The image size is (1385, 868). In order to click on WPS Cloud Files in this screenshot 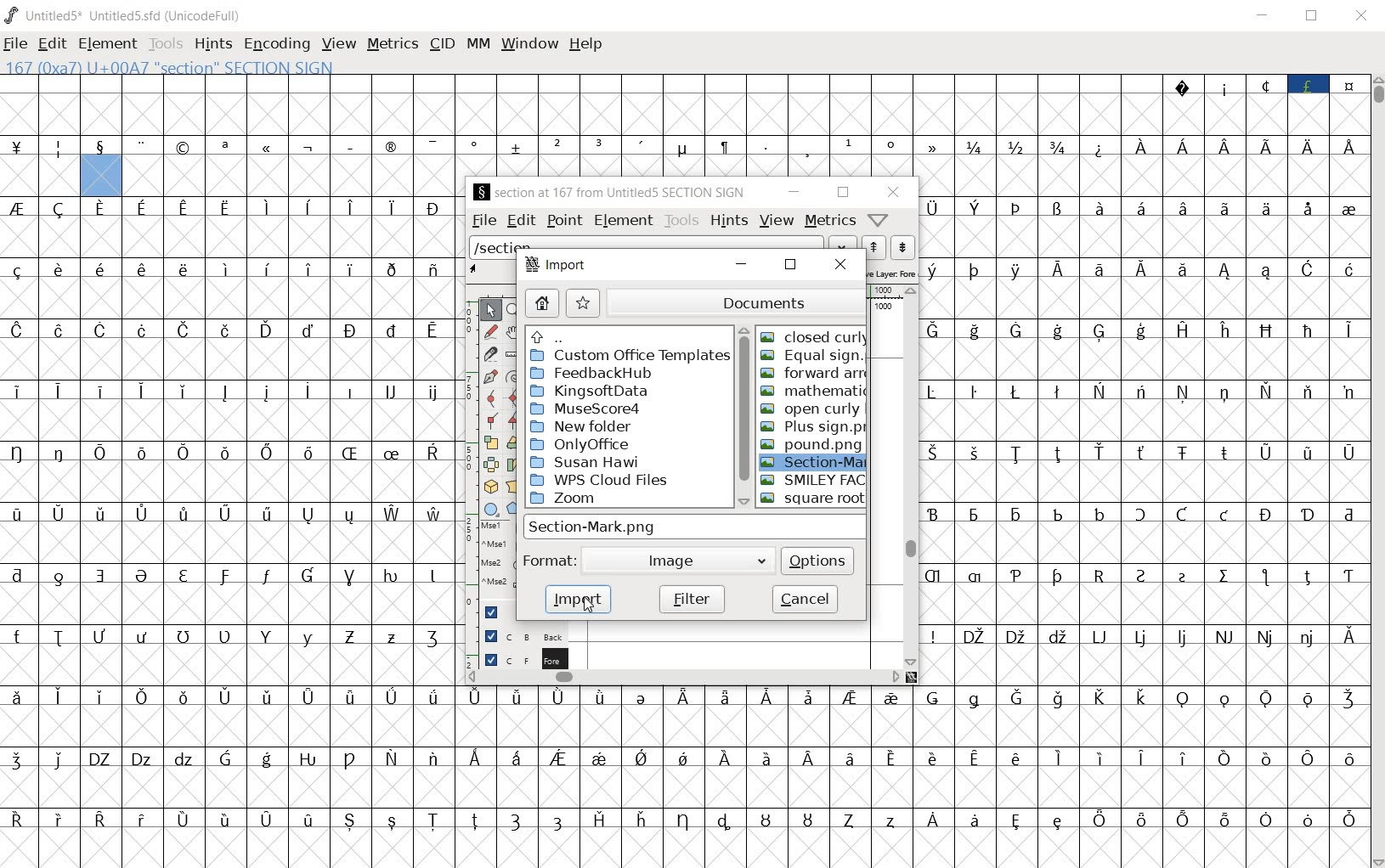, I will do `click(602, 480)`.